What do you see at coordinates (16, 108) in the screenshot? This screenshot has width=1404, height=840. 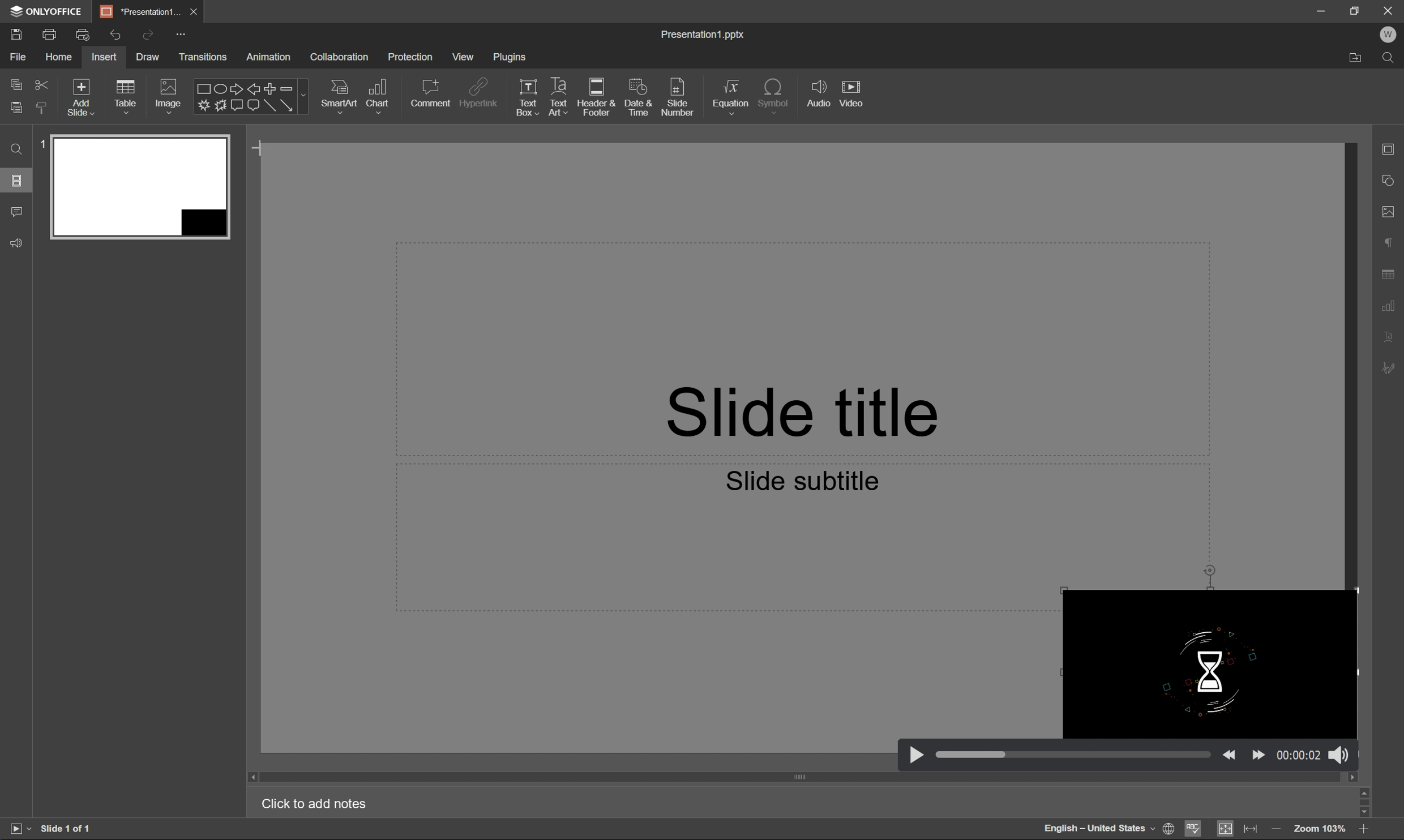 I see `paste` at bounding box center [16, 108].